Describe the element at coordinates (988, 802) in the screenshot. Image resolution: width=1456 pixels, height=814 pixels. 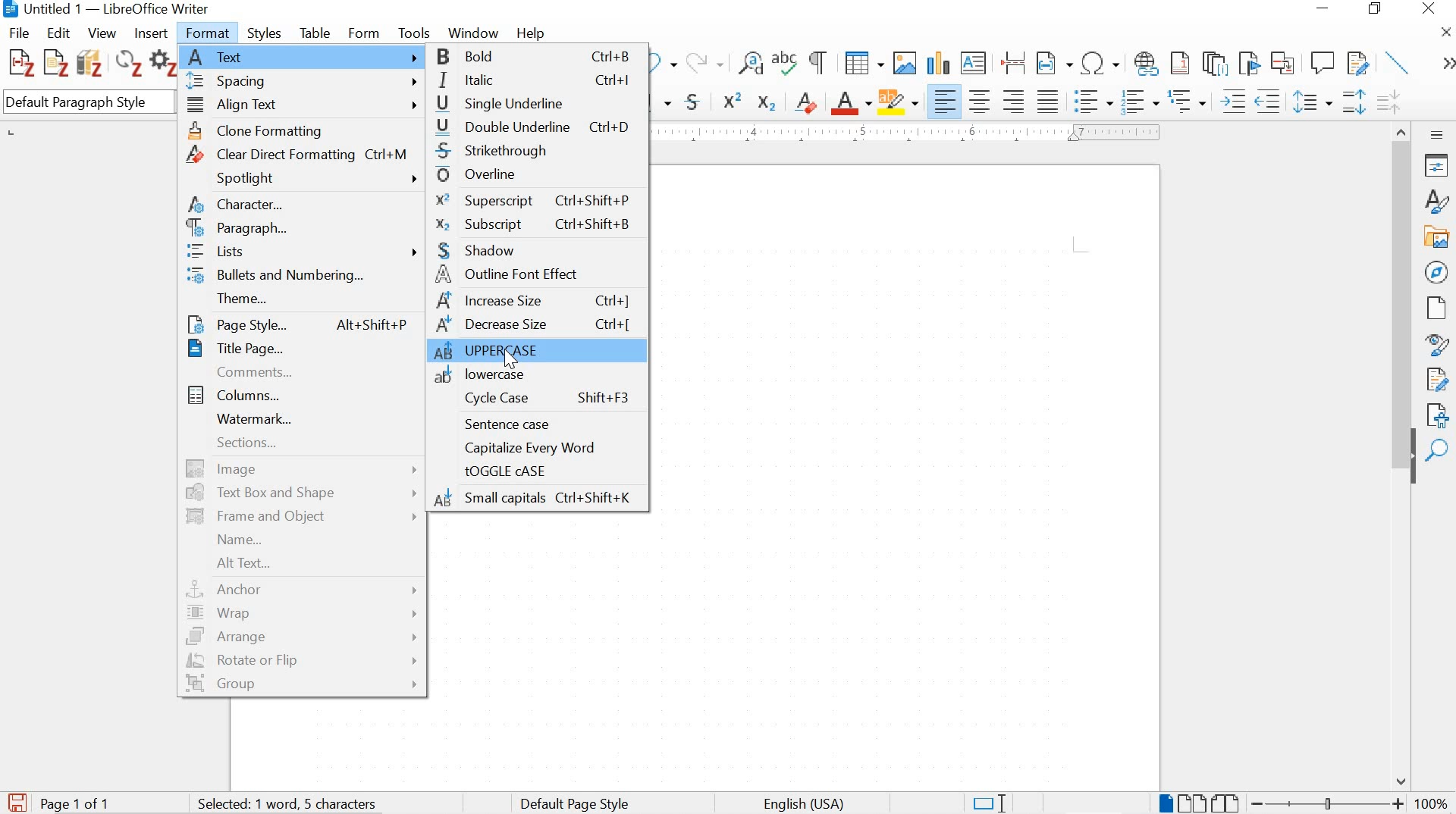
I see `standard selection` at that location.